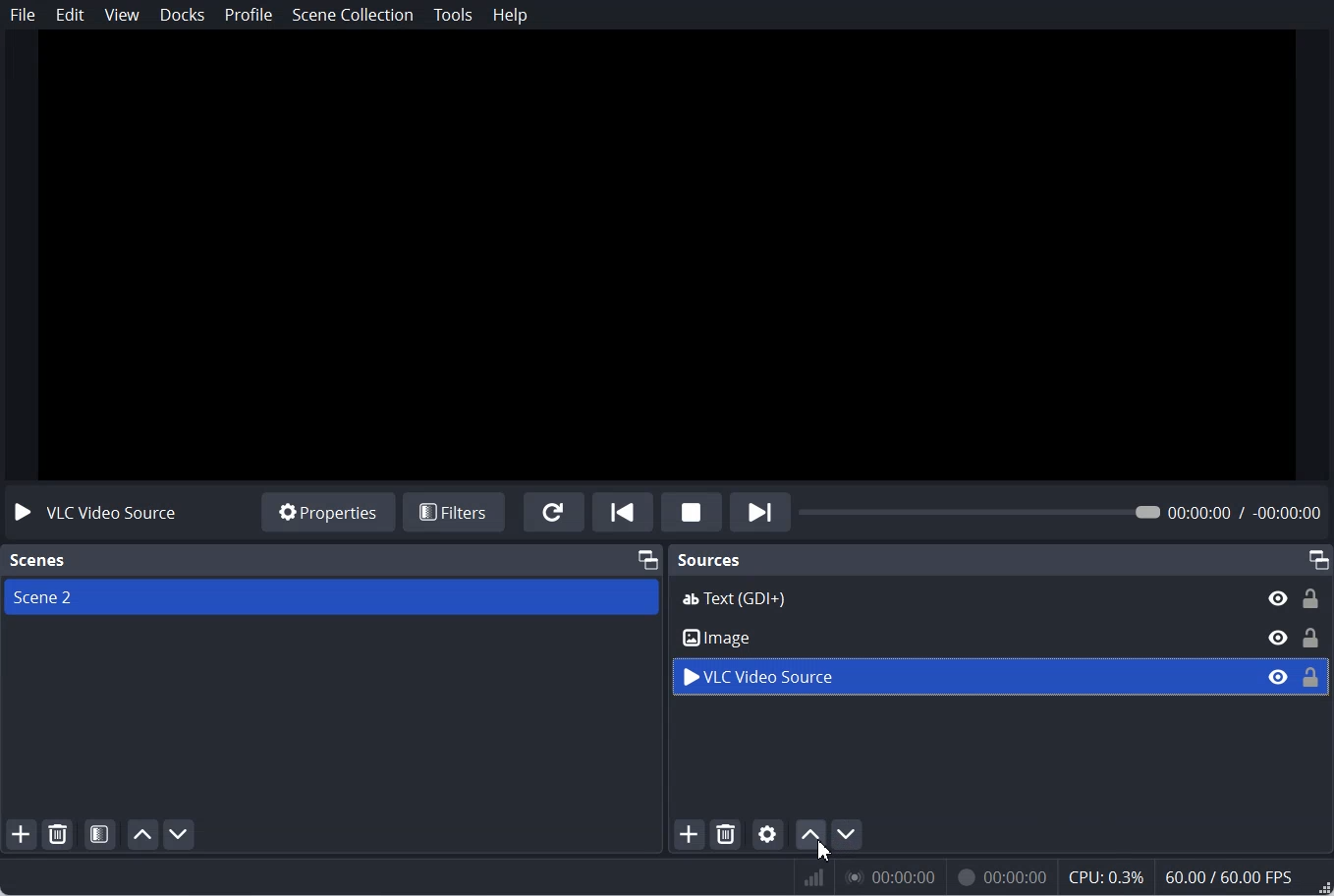  What do you see at coordinates (328, 513) in the screenshot?
I see `Properties` at bounding box center [328, 513].